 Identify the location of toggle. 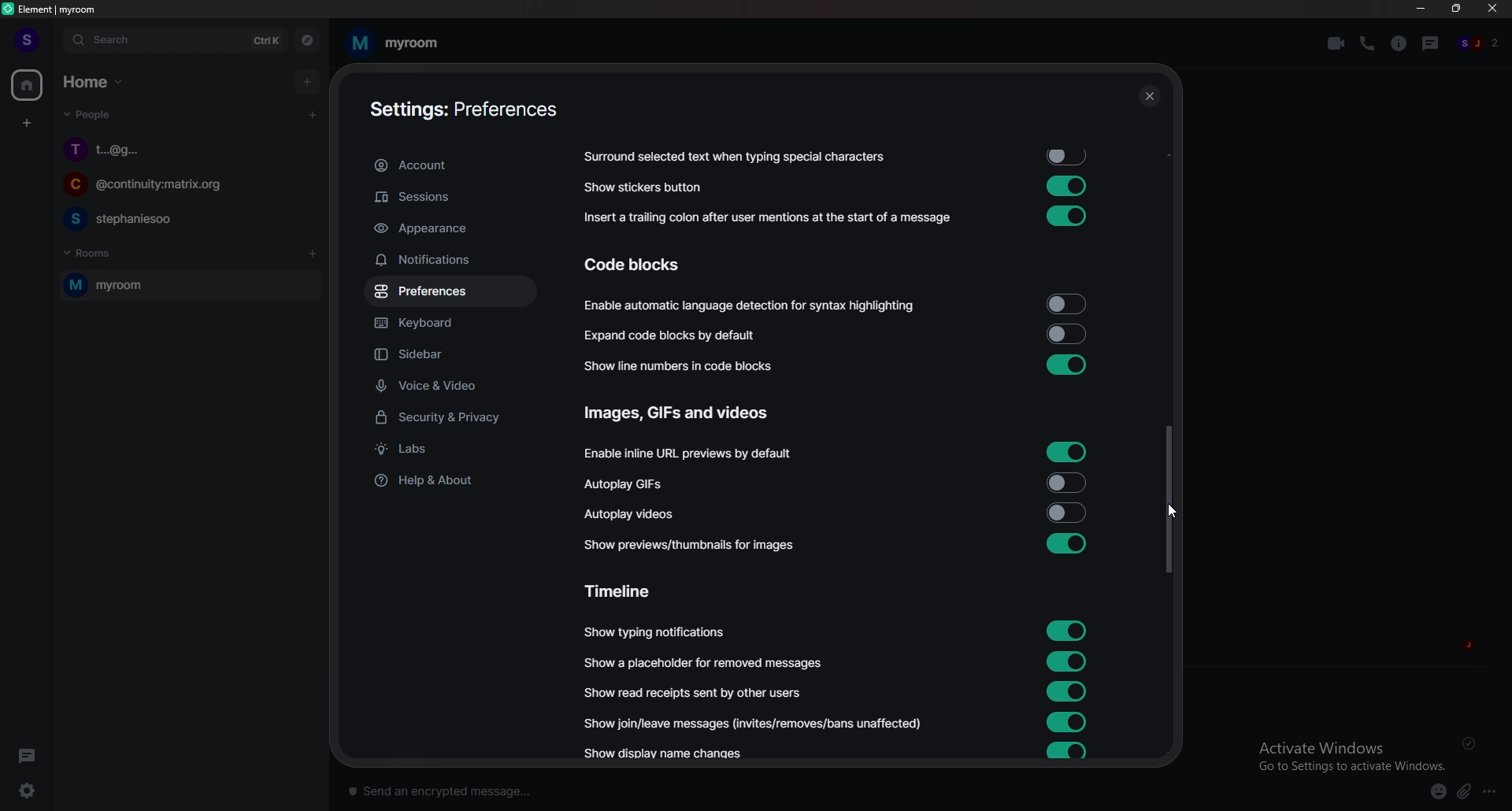
(1063, 217).